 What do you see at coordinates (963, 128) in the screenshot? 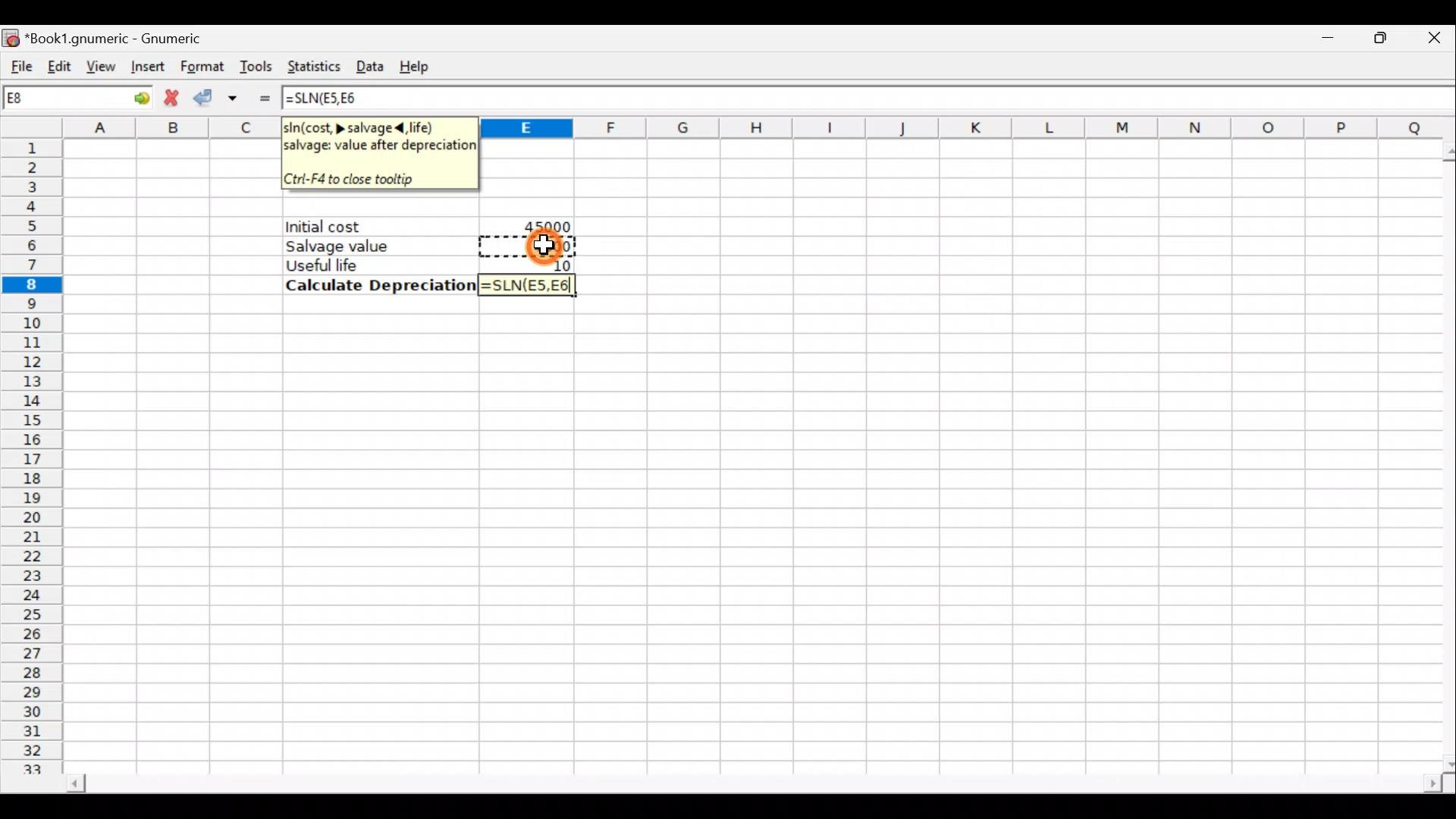
I see `Columns` at bounding box center [963, 128].